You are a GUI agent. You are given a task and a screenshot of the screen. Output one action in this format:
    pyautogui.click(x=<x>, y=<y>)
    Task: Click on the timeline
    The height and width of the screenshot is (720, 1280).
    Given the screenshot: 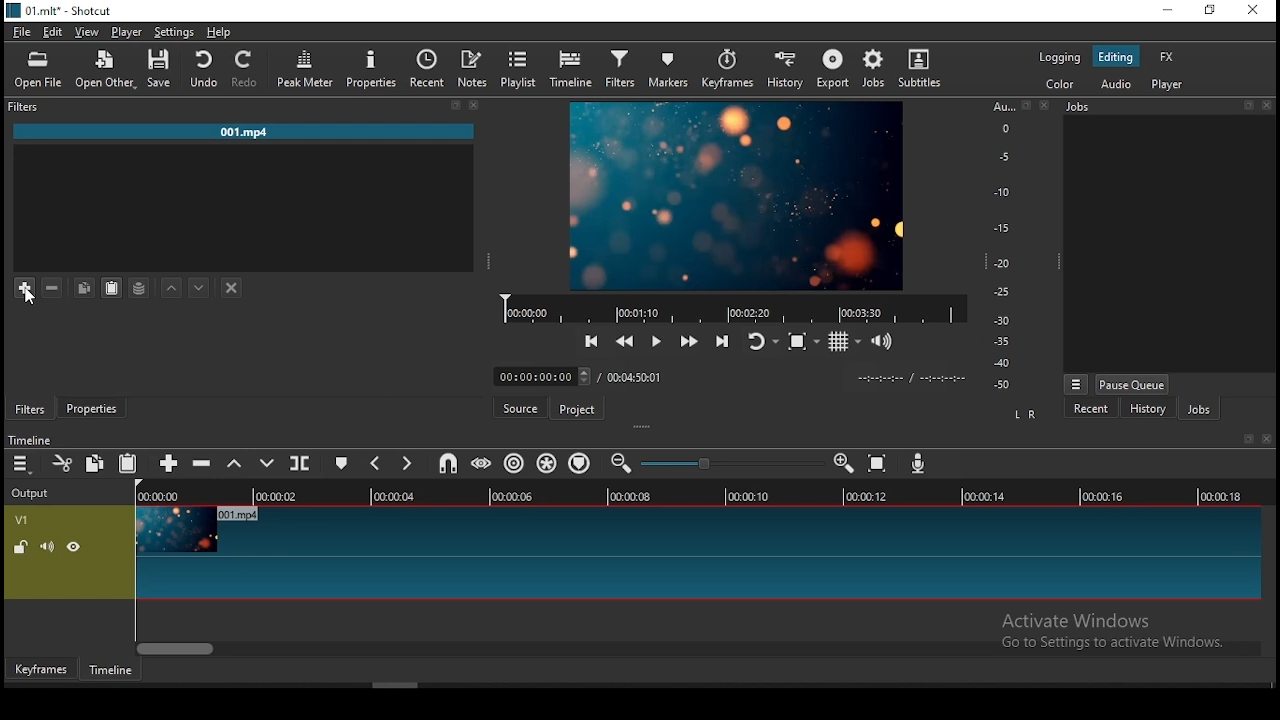 What is the action you would take?
    pyautogui.click(x=108, y=668)
    